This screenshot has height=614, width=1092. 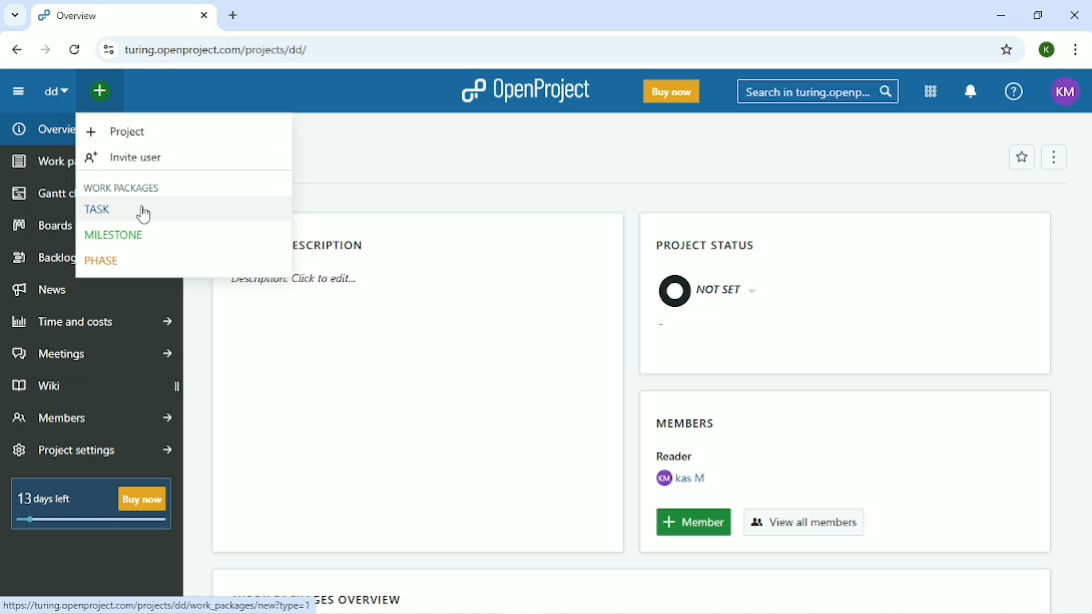 I want to click on Cursor, so click(x=145, y=214).